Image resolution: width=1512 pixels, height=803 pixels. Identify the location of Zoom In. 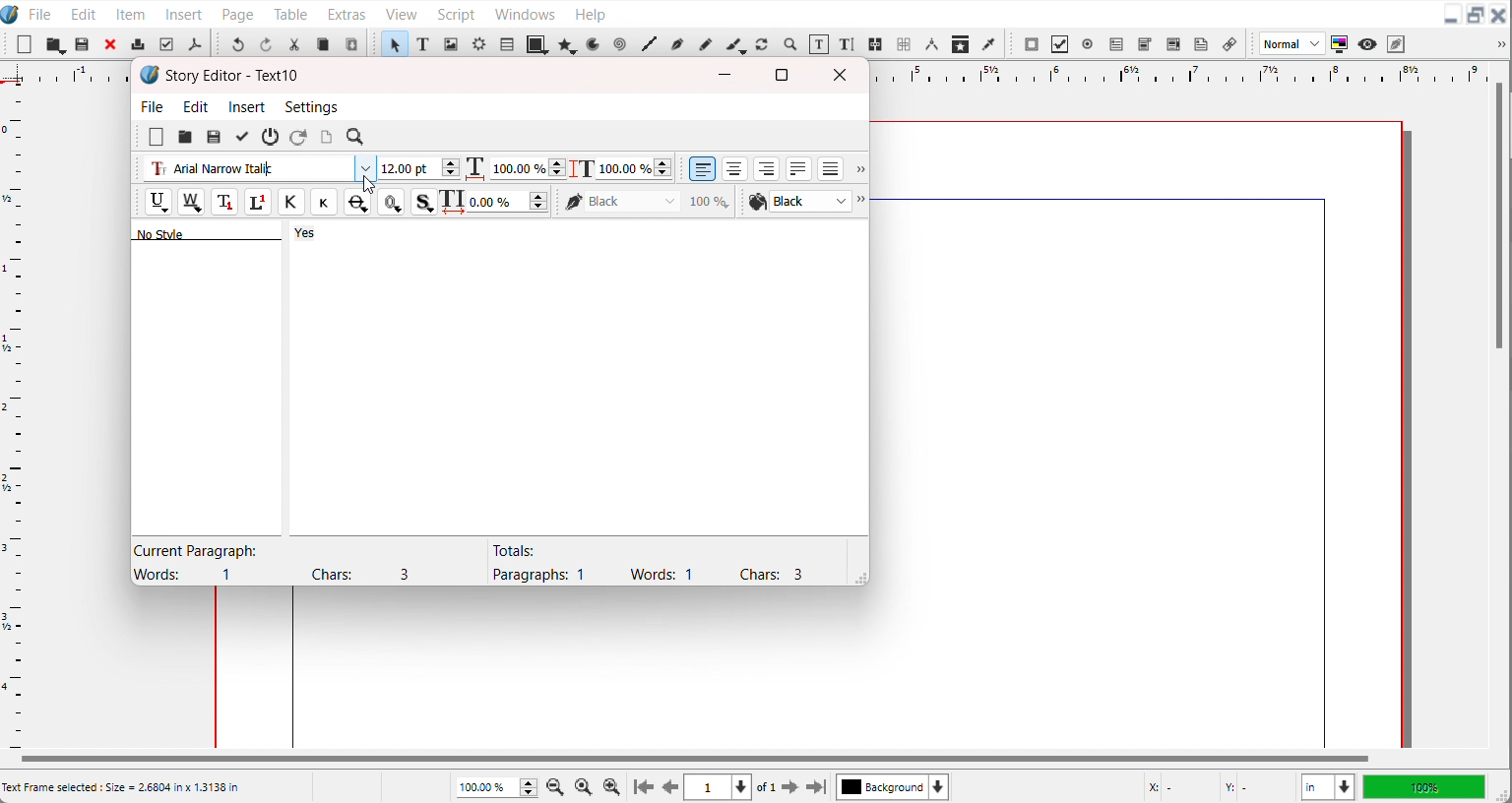
(612, 786).